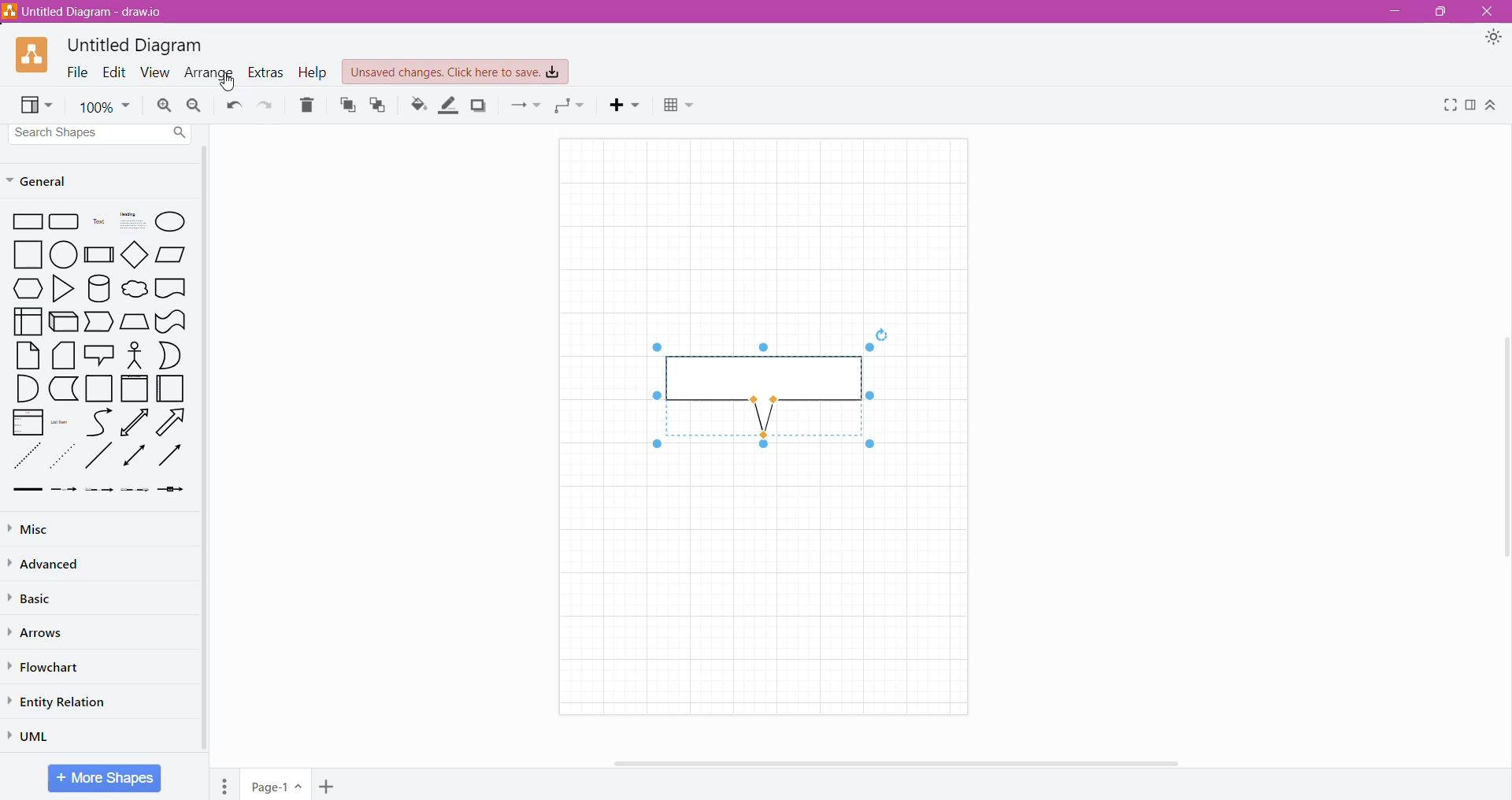 This screenshot has height=800, width=1512. Describe the element at coordinates (99, 354) in the screenshot. I see `Speech Bubble` at that location.